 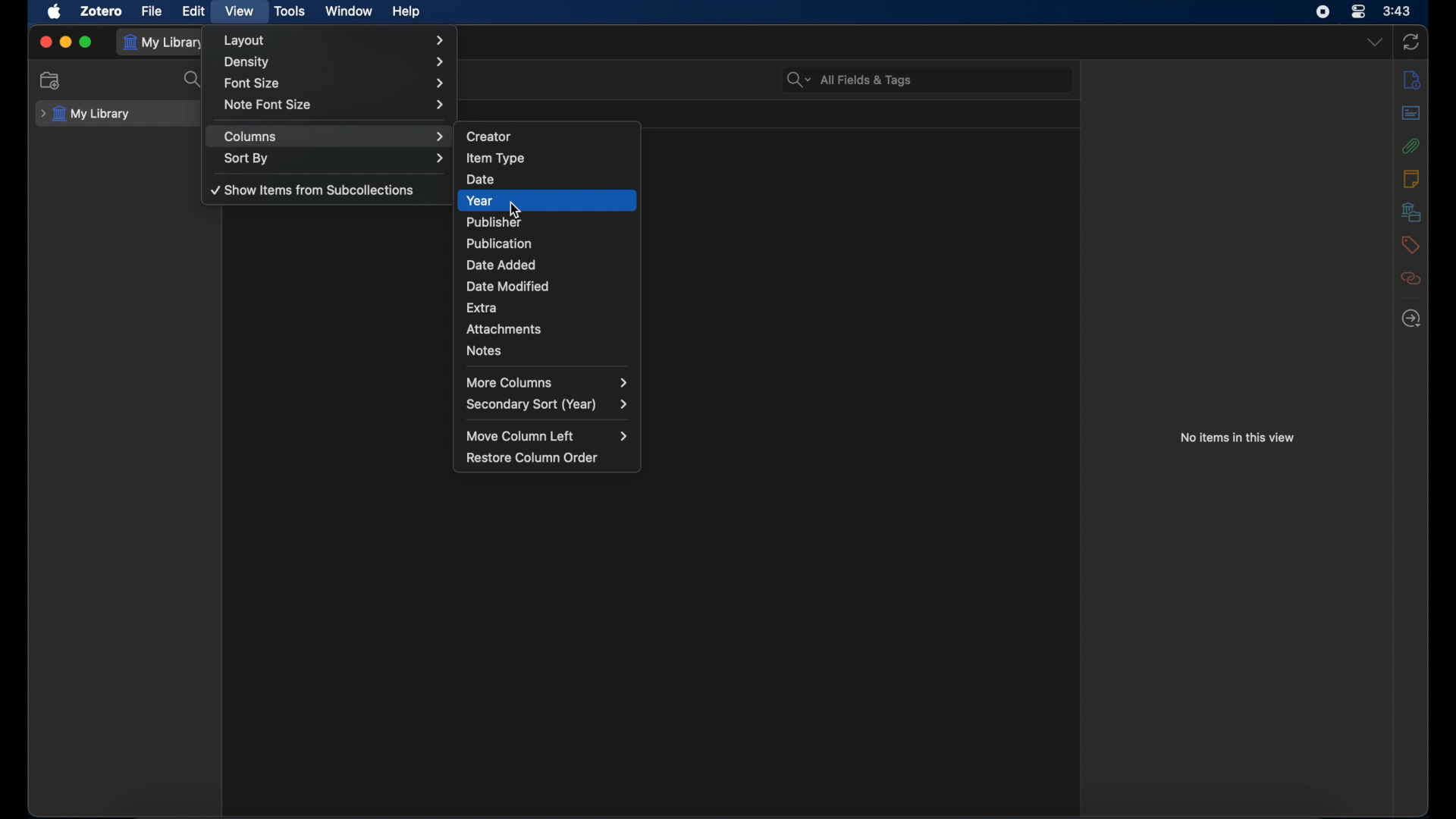 I want to click on notes, so click(x=1410, y=178).